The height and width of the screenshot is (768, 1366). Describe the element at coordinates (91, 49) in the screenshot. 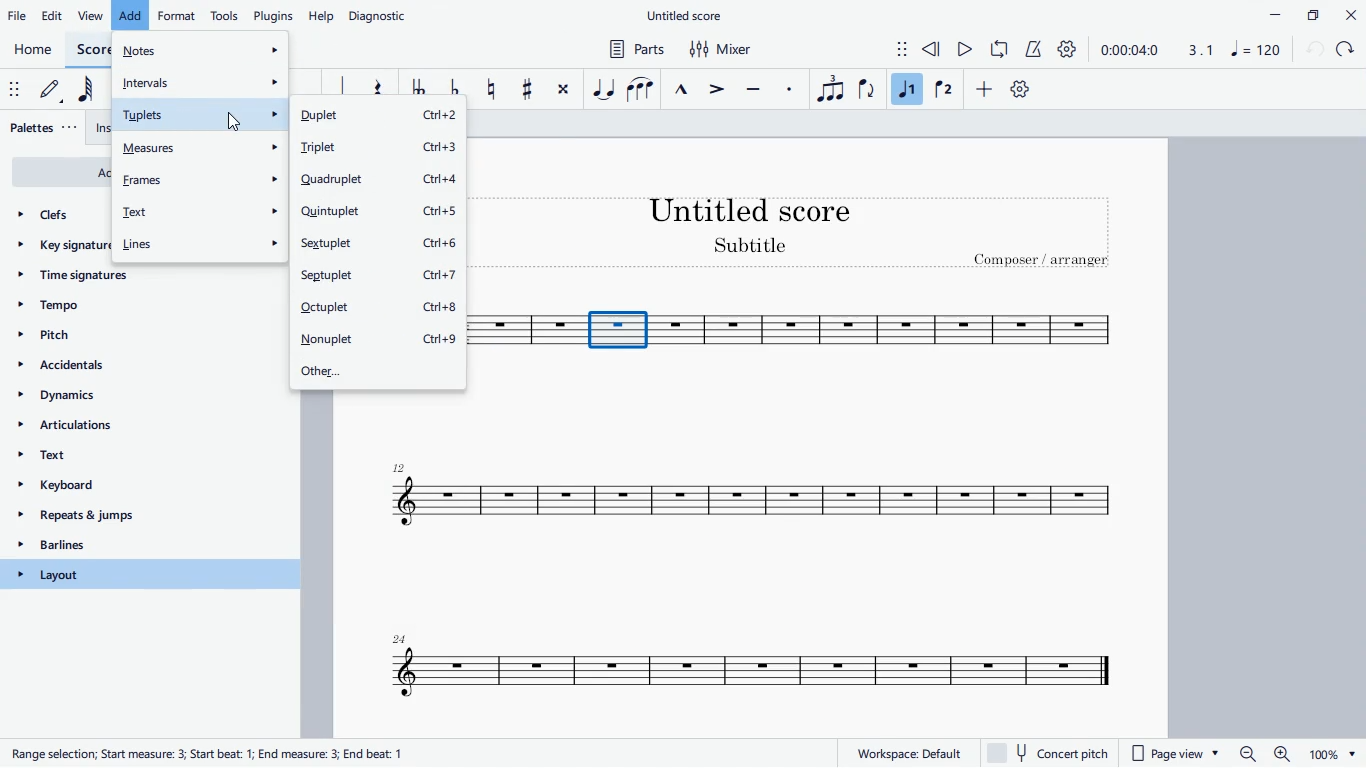

I see `score` at that location.